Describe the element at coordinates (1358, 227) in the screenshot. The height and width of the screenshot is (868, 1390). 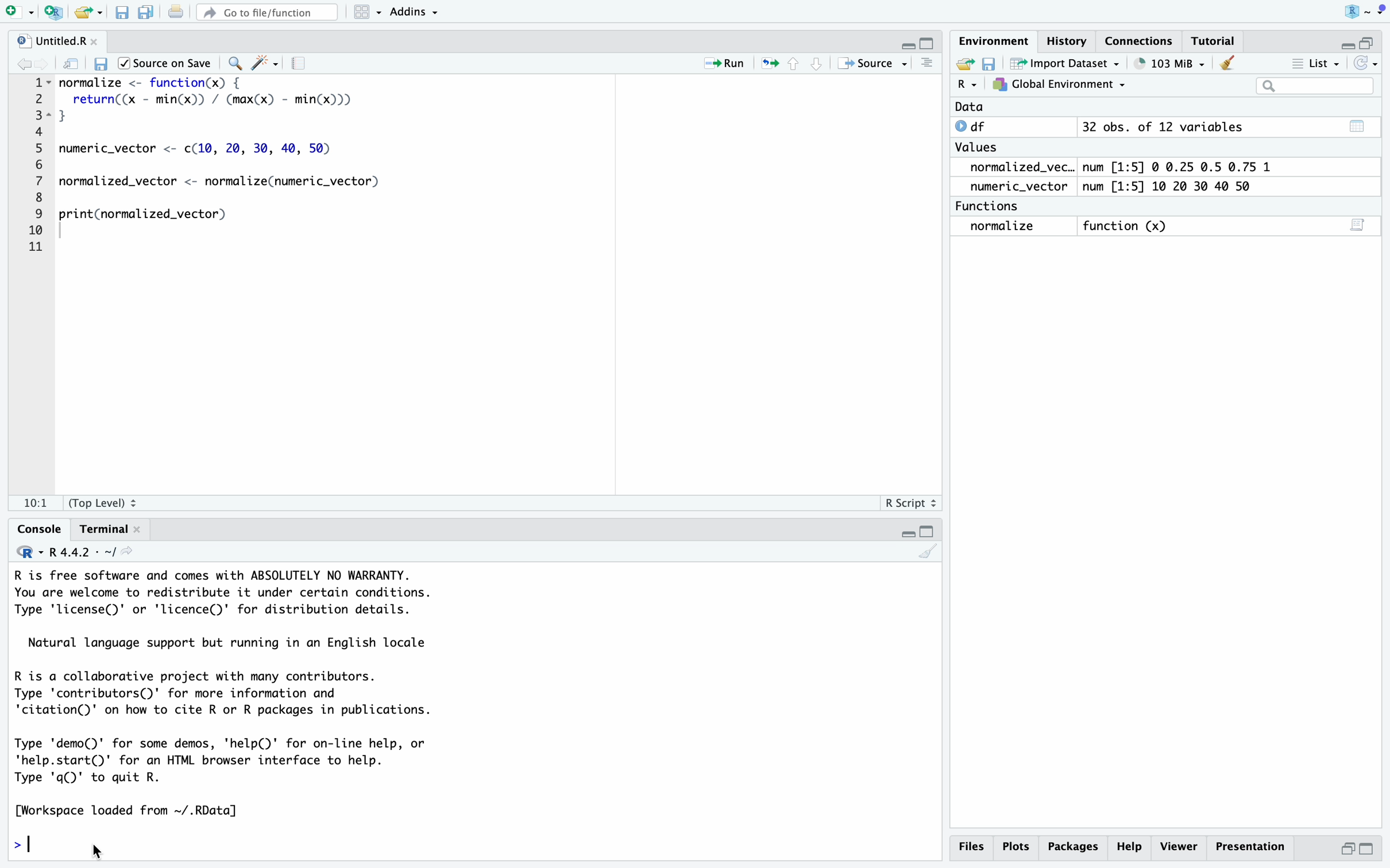
I see `Data/Table` at that location.